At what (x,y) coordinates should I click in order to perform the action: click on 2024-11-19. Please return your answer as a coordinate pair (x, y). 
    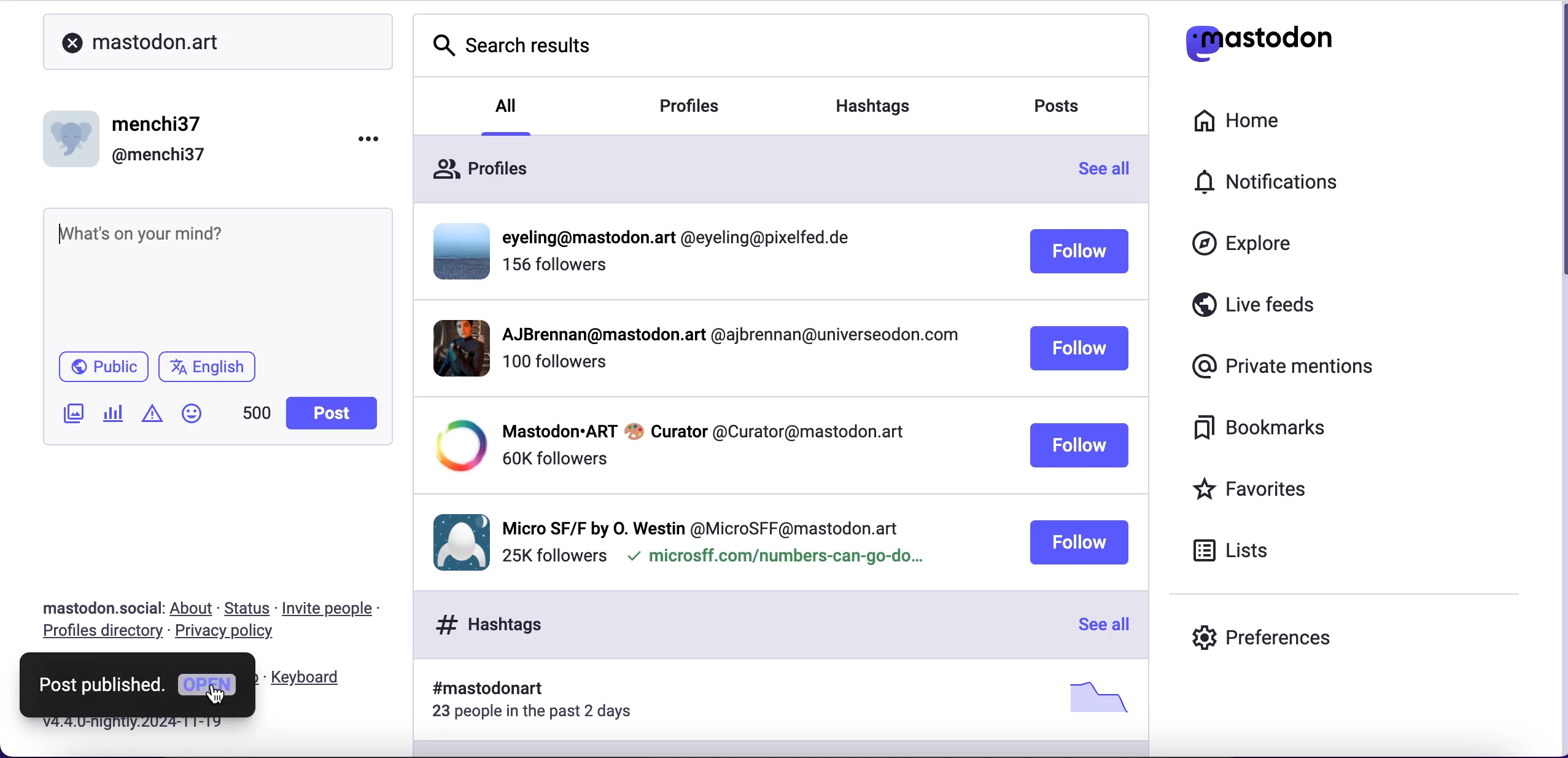
    Looking at the image, I should click on (152, 725).